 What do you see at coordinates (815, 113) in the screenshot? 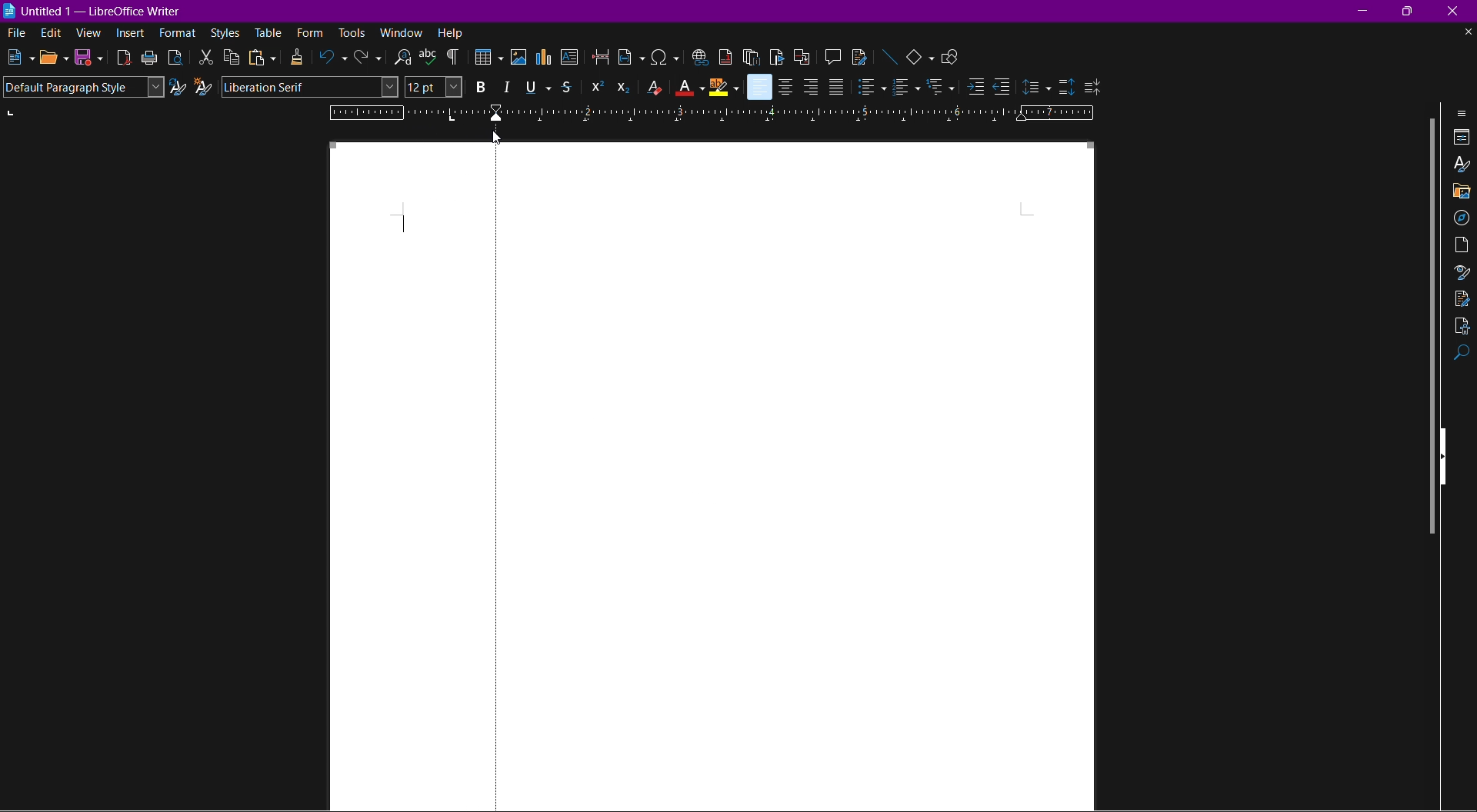
I see `Scale` at bounding box center [815, 113].